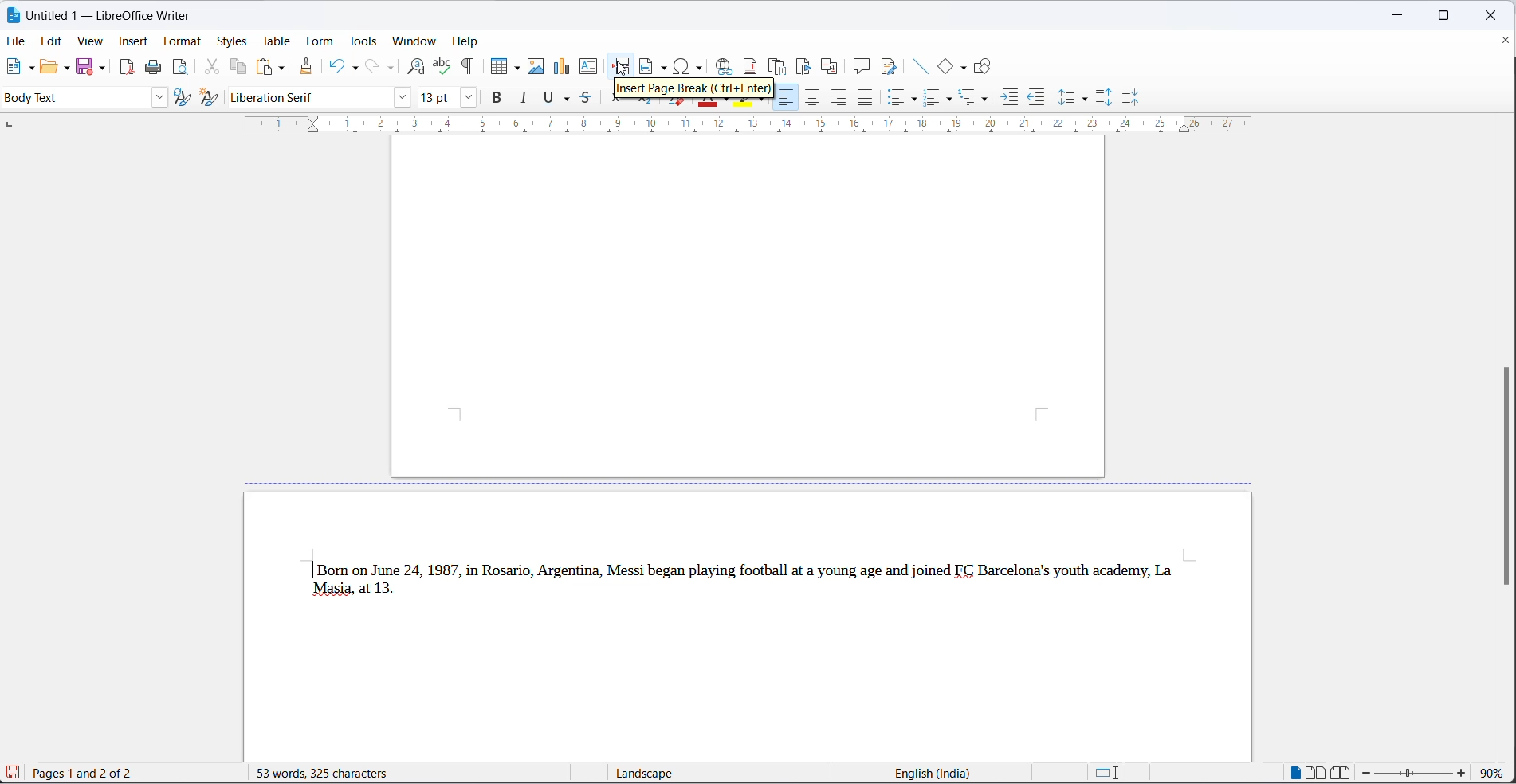 This screenshot has height=784, width=1516. I want to click on increase indent, so click(1010, 95).